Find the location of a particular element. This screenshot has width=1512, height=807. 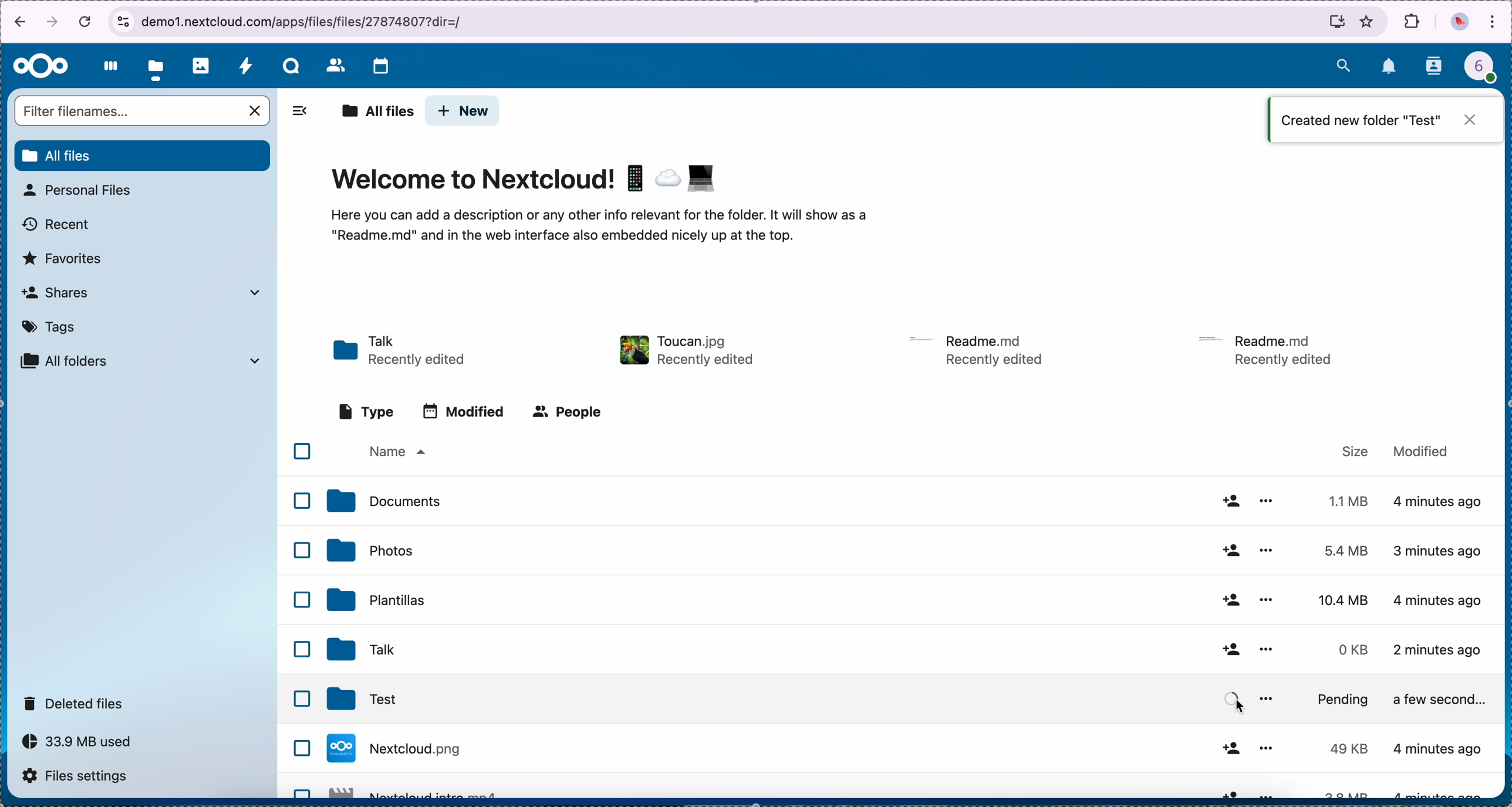

personal files is located at coordinates (81, 190).